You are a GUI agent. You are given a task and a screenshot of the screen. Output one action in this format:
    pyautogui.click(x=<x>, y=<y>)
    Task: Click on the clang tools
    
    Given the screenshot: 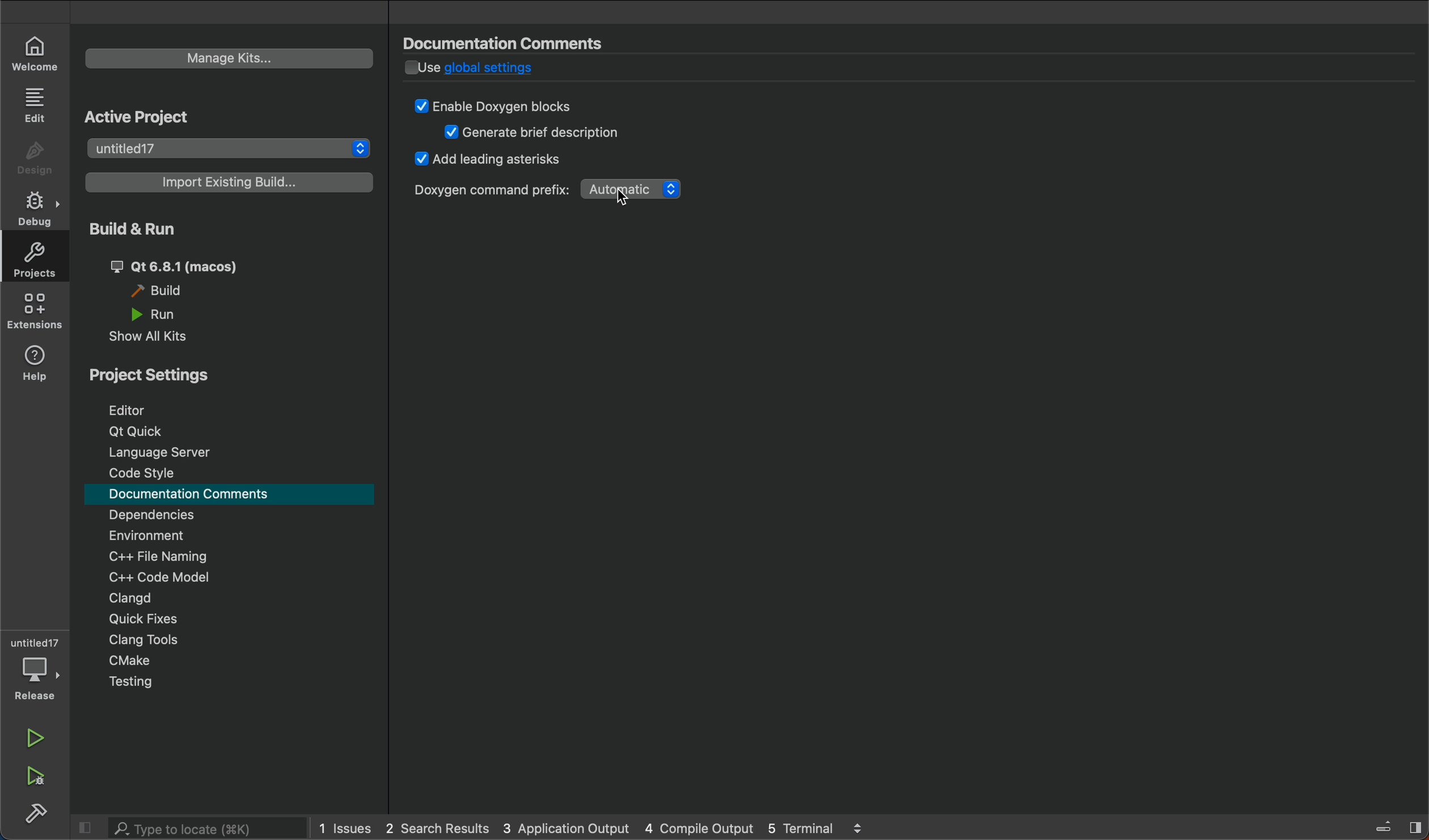 What is the action you would take?
    pyautogui.click(x=150, y=641)
    